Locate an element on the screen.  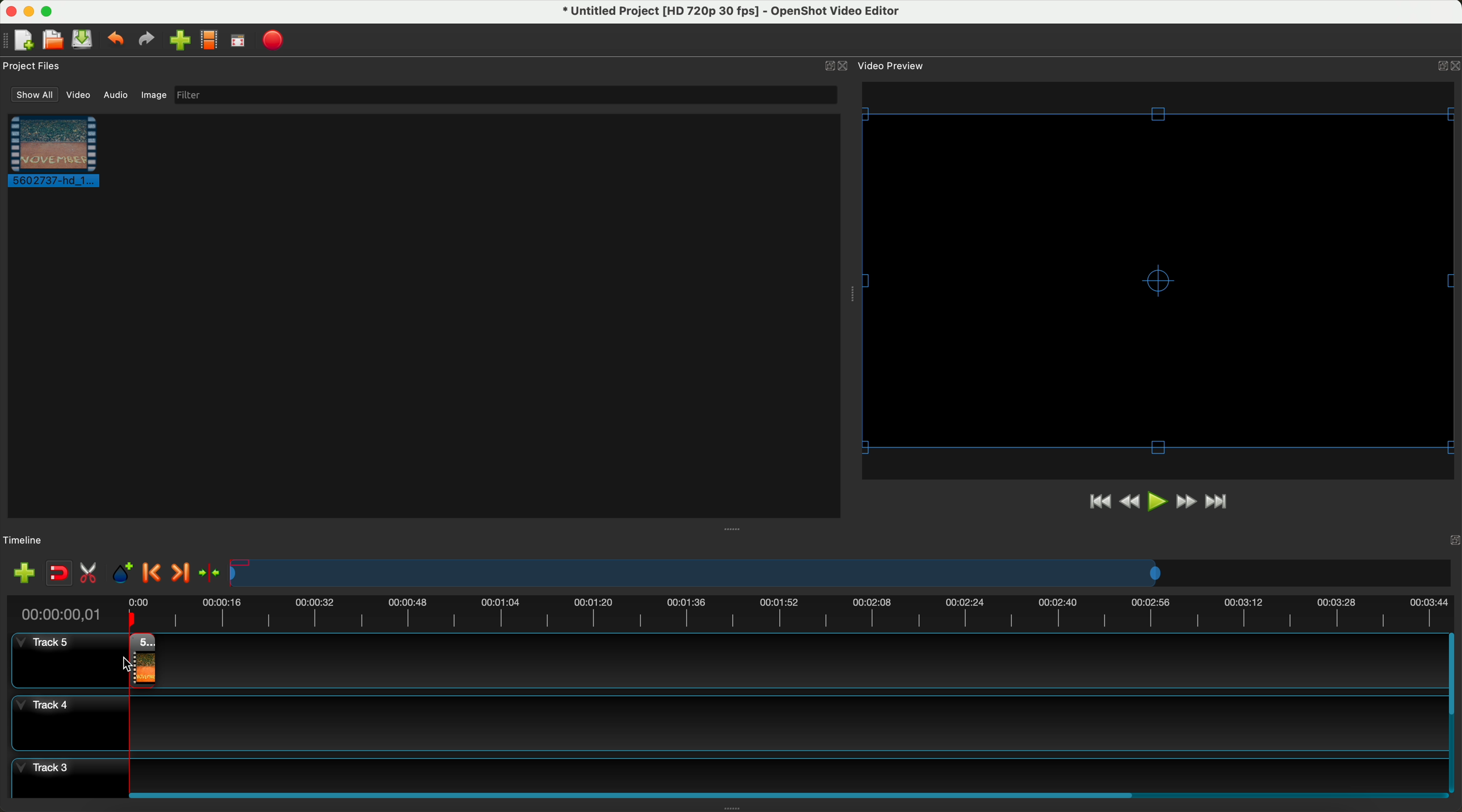
video is located at coordinates (78, 96).